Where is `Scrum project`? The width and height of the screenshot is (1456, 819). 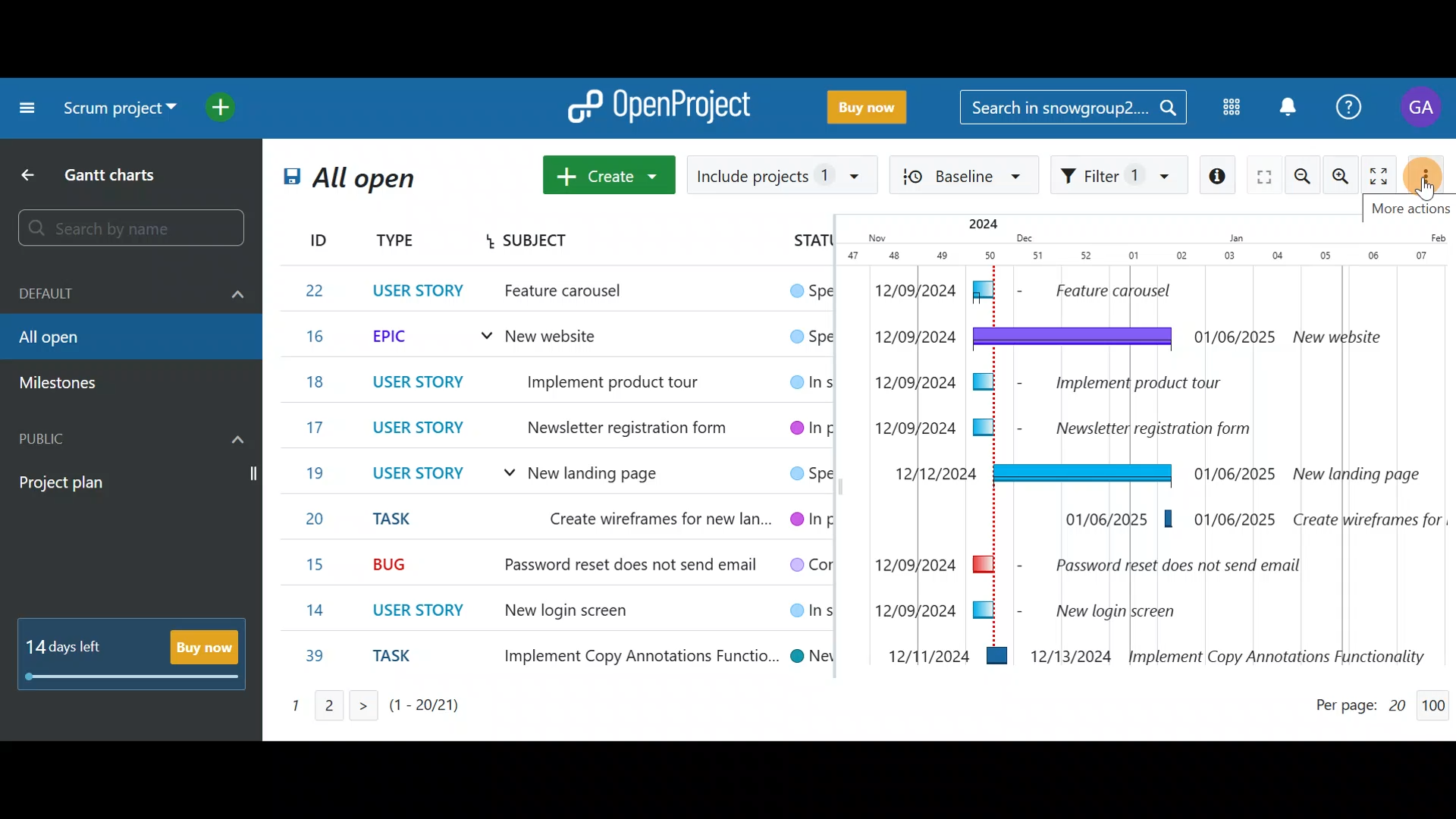
Scrum project is located at coordinates (118, 108).